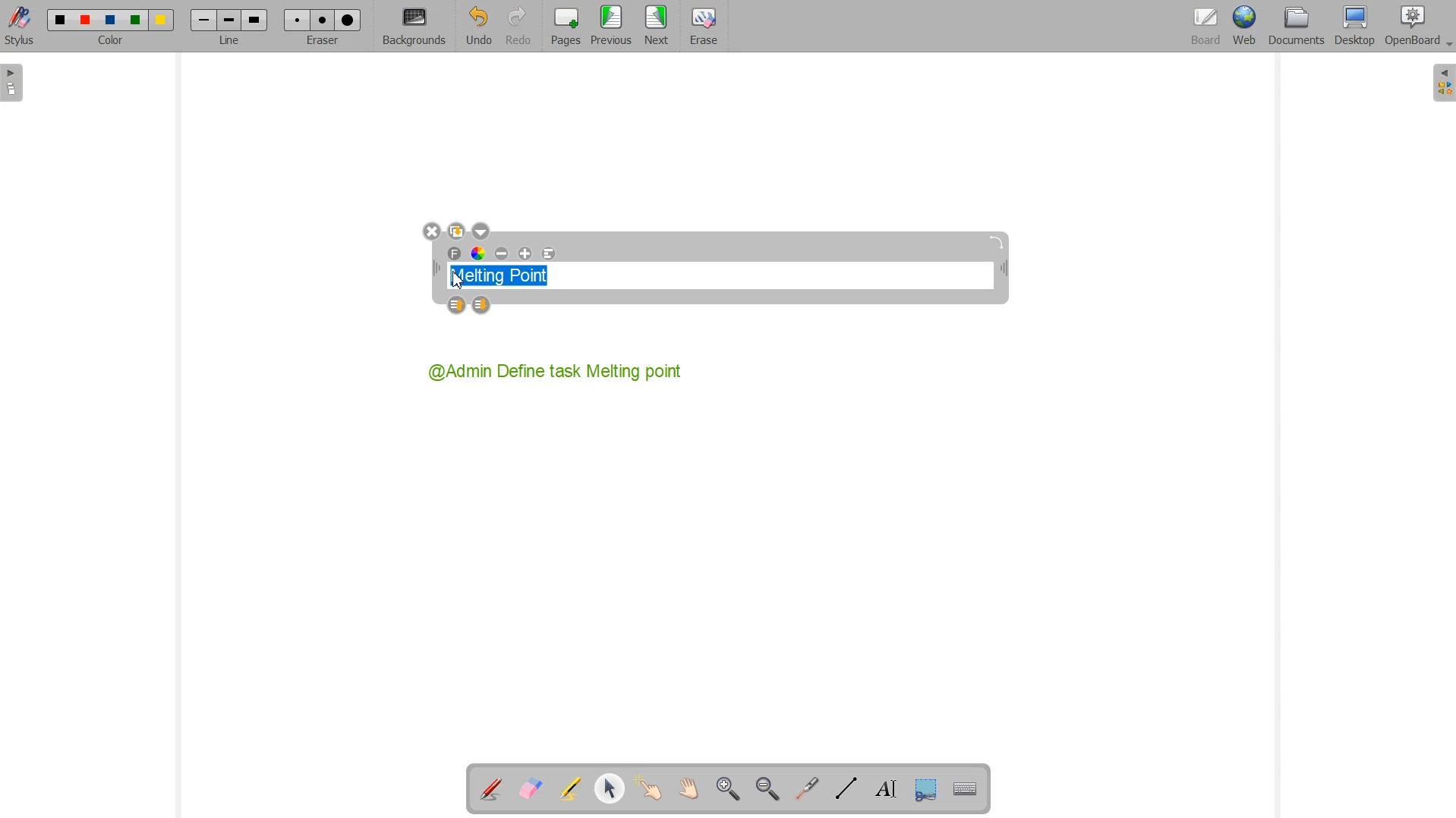 This screenshot has width=1456, height=818. I want to click on Highlight, so click(572, 790).